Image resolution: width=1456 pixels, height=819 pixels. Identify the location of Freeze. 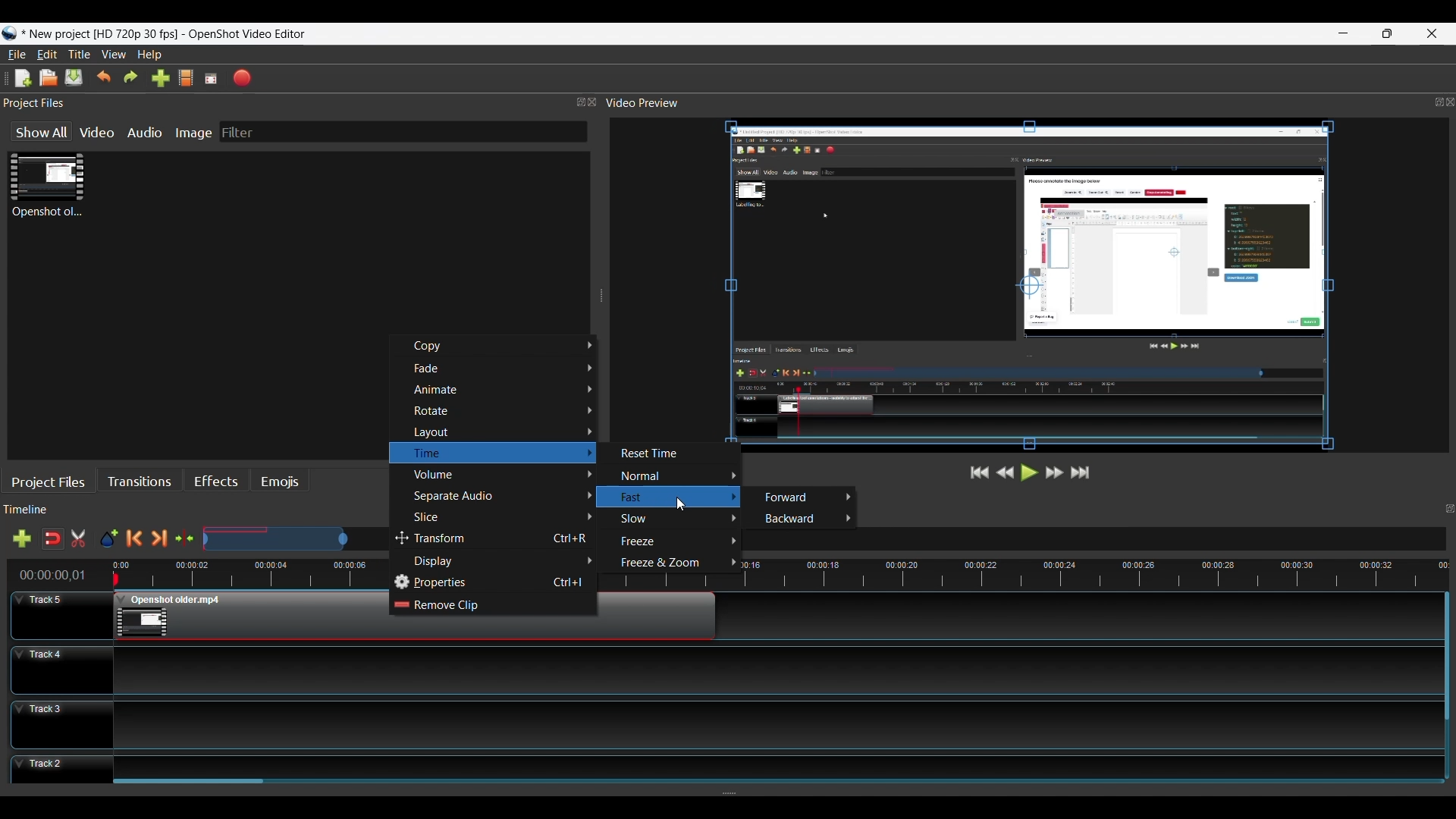
(674, 542).